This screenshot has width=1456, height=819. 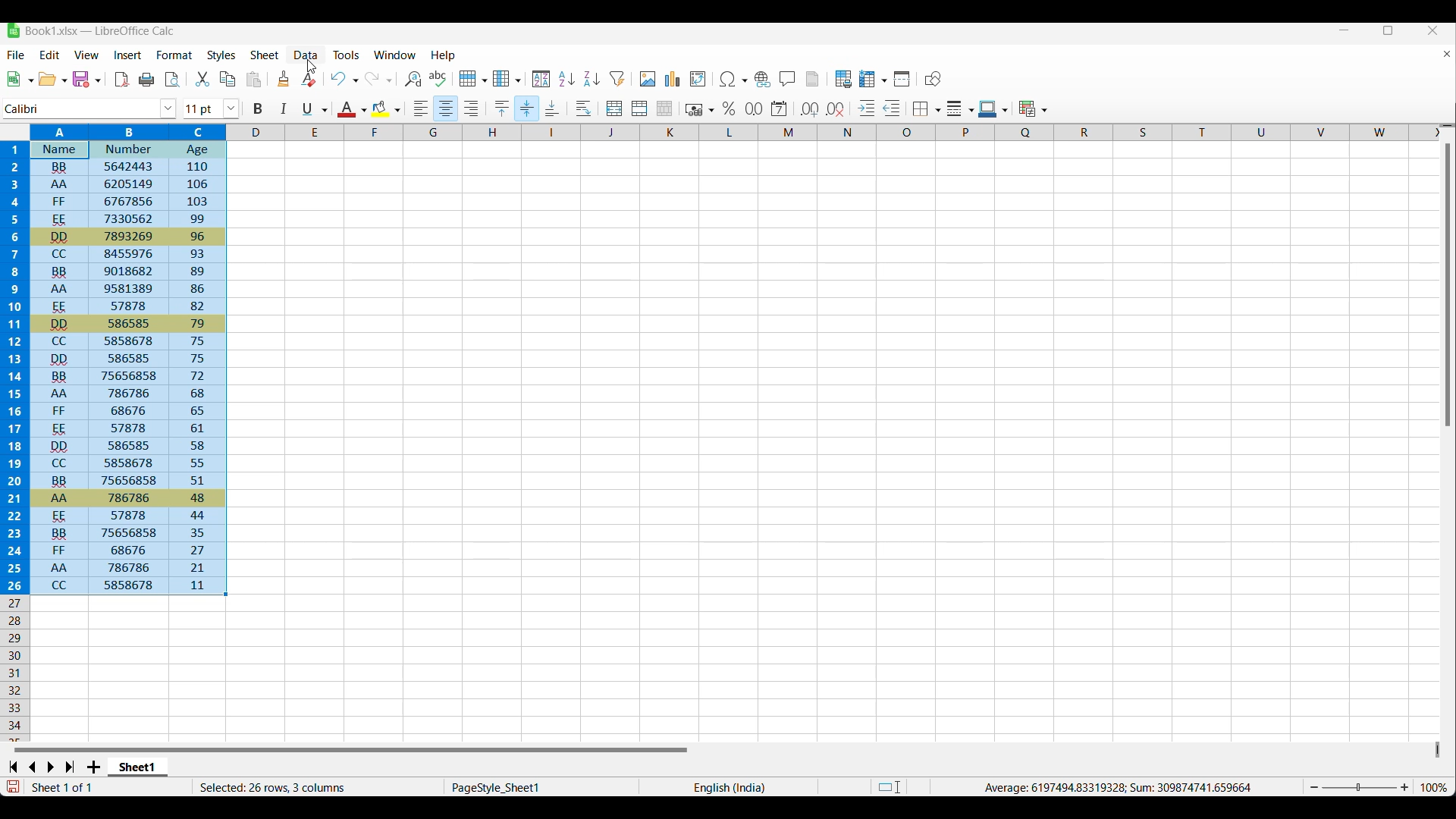 I want to click on Go to previous sheet, so click(x=32, y=767).